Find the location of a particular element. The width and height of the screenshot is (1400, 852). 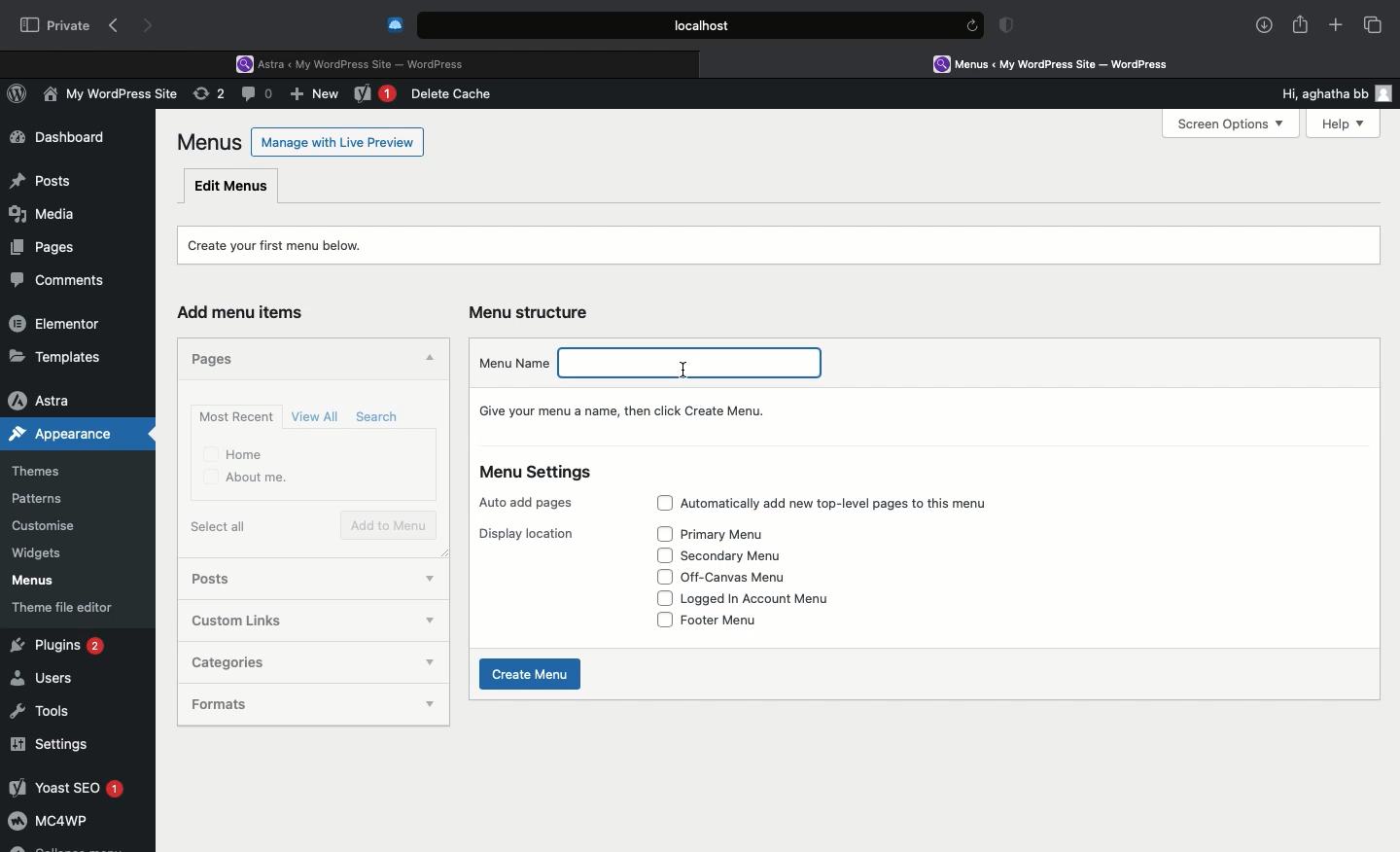

Categories is located at coordinates (288, 660).